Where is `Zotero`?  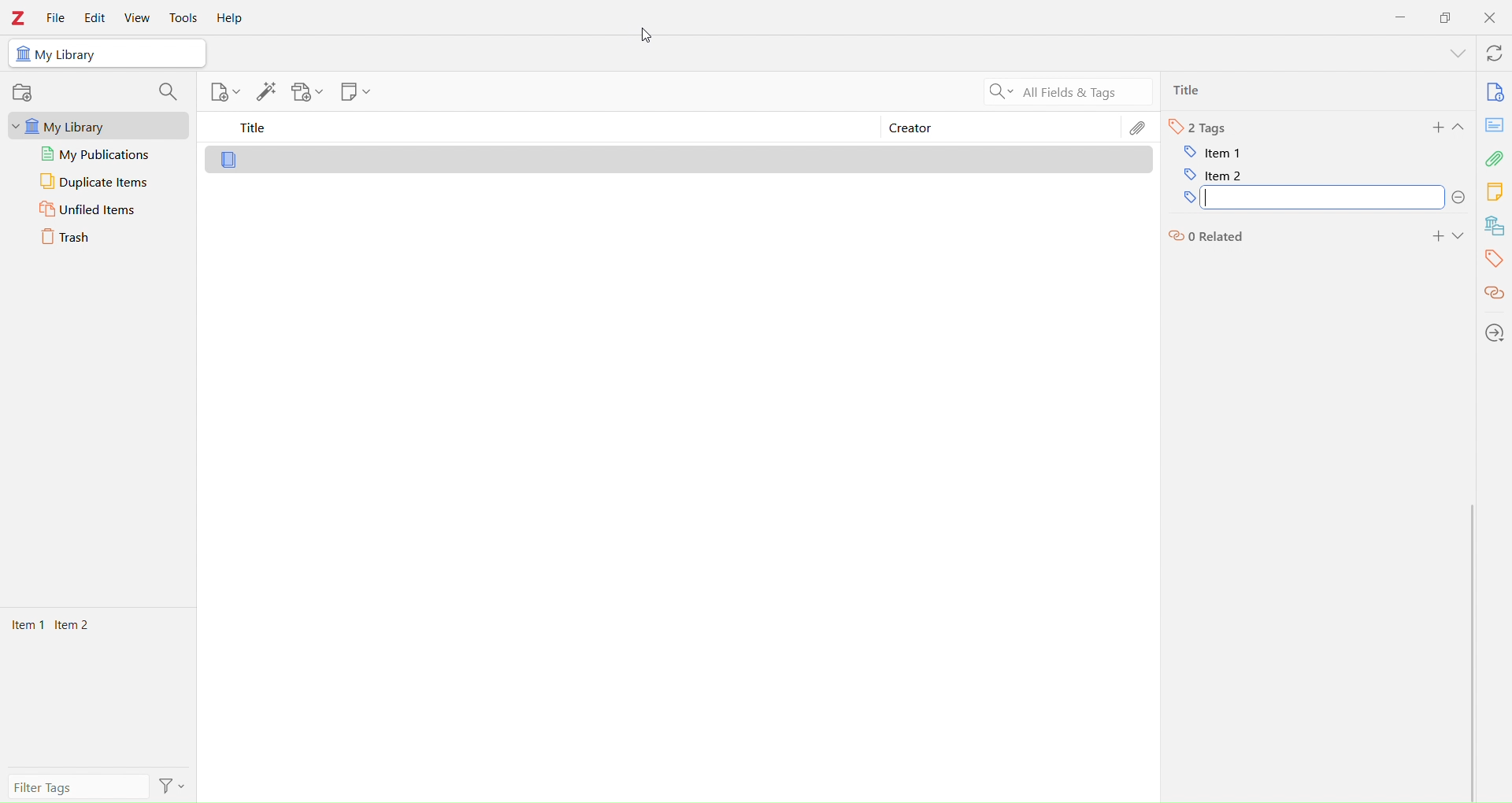
Zotero is located at coordinates (19, 18).